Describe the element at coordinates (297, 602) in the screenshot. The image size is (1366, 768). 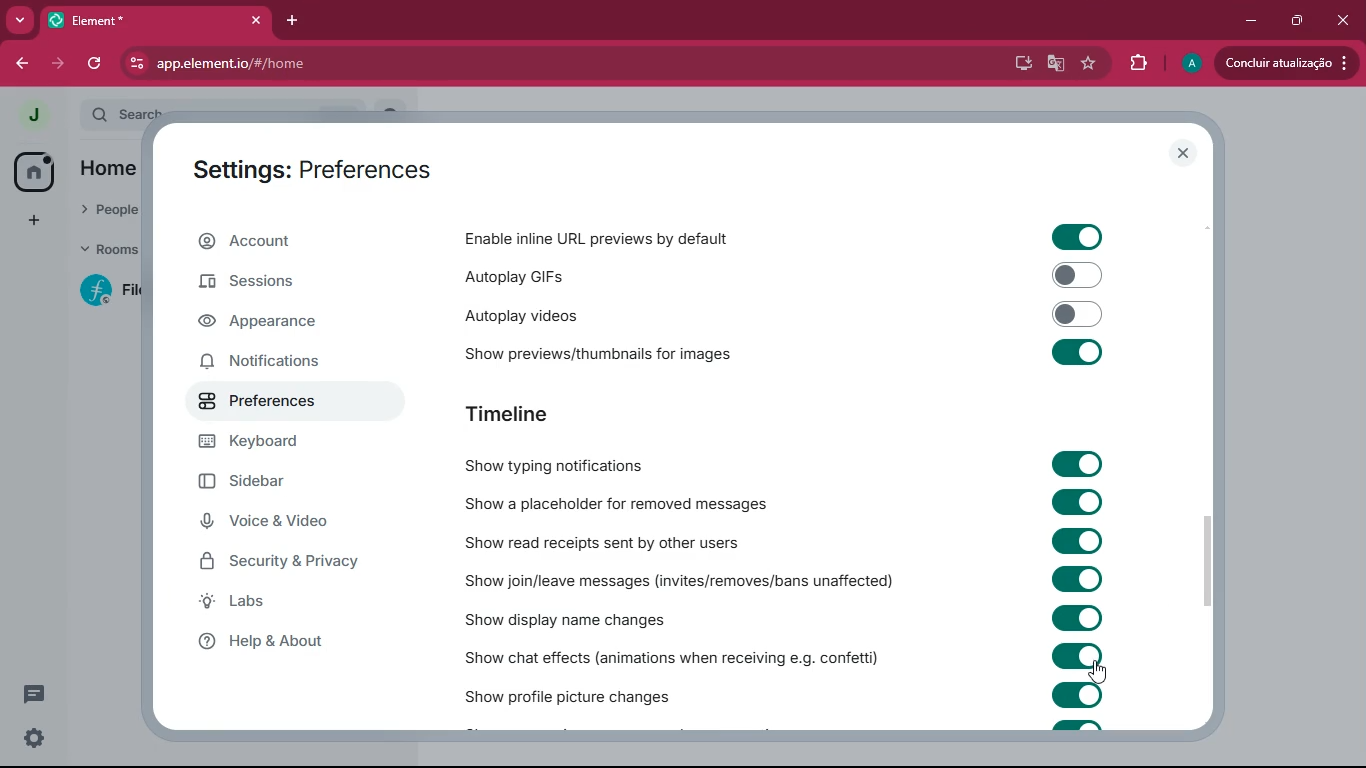
I see `labs` at that location.